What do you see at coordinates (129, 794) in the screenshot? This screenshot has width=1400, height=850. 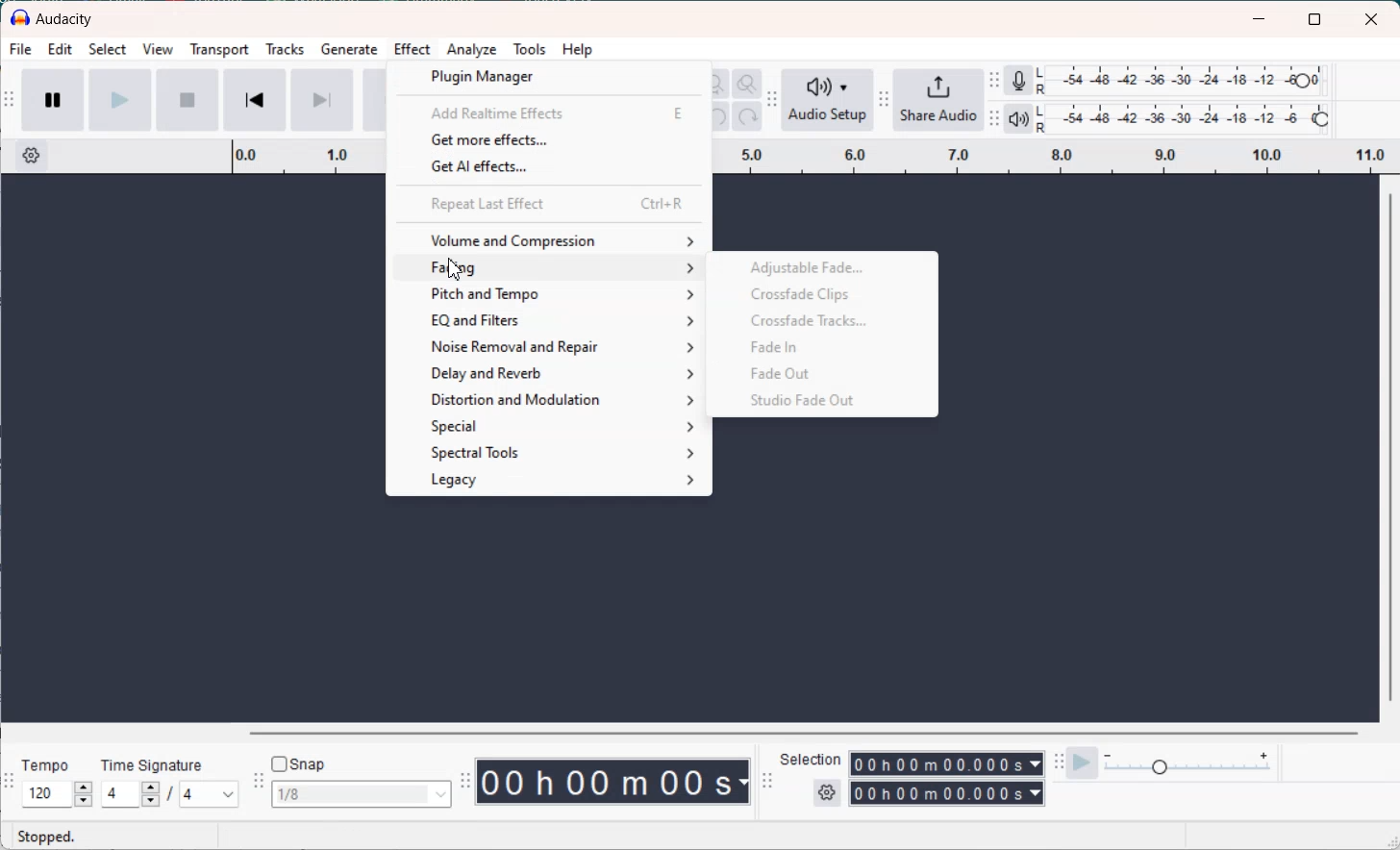 I see `Time Signature adjustment` at bounding box center [129, 794].